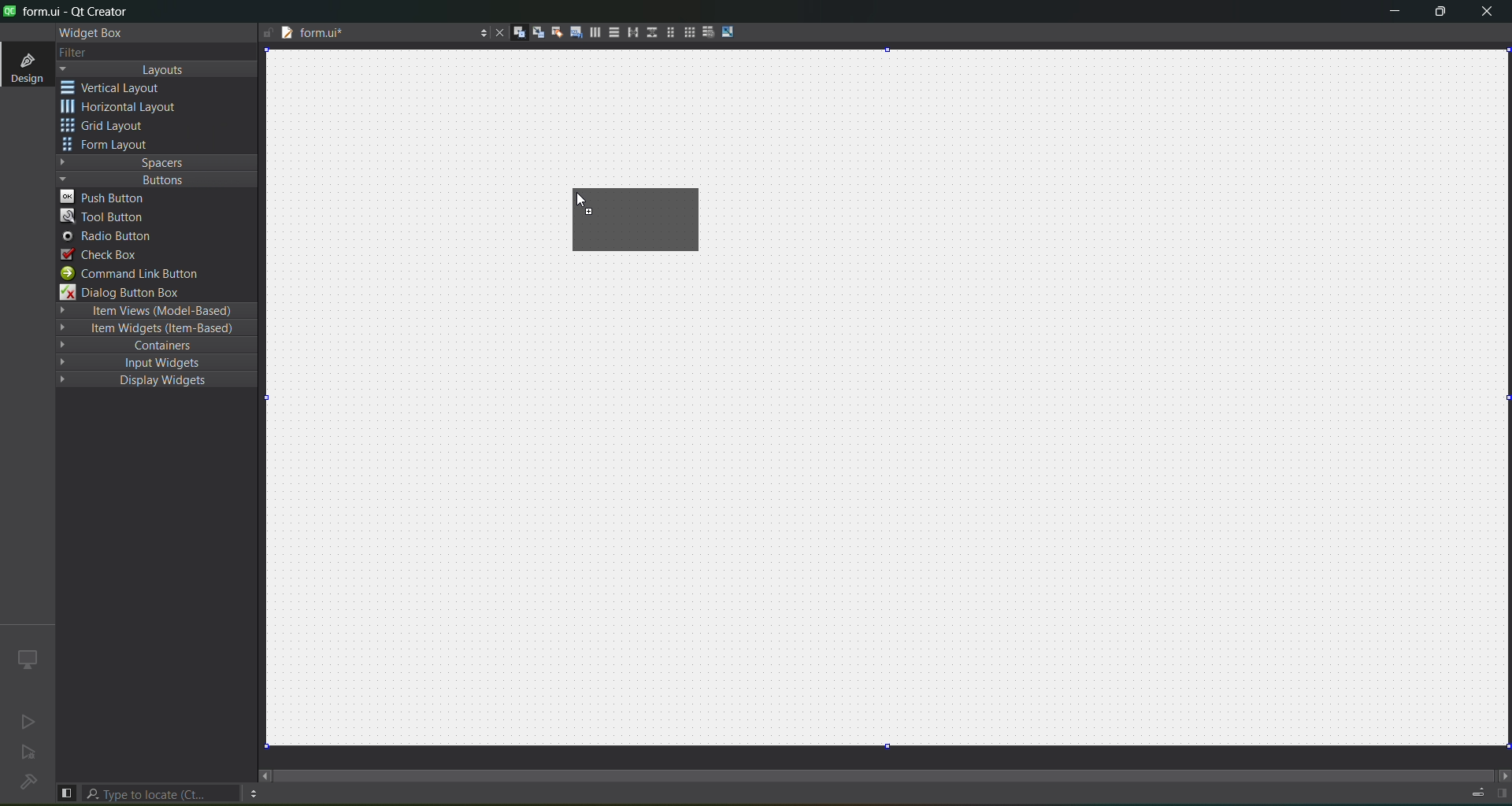 The height and width of the screenshot is (806, 1512). I want to click on vertical layout, so click(613, 32).